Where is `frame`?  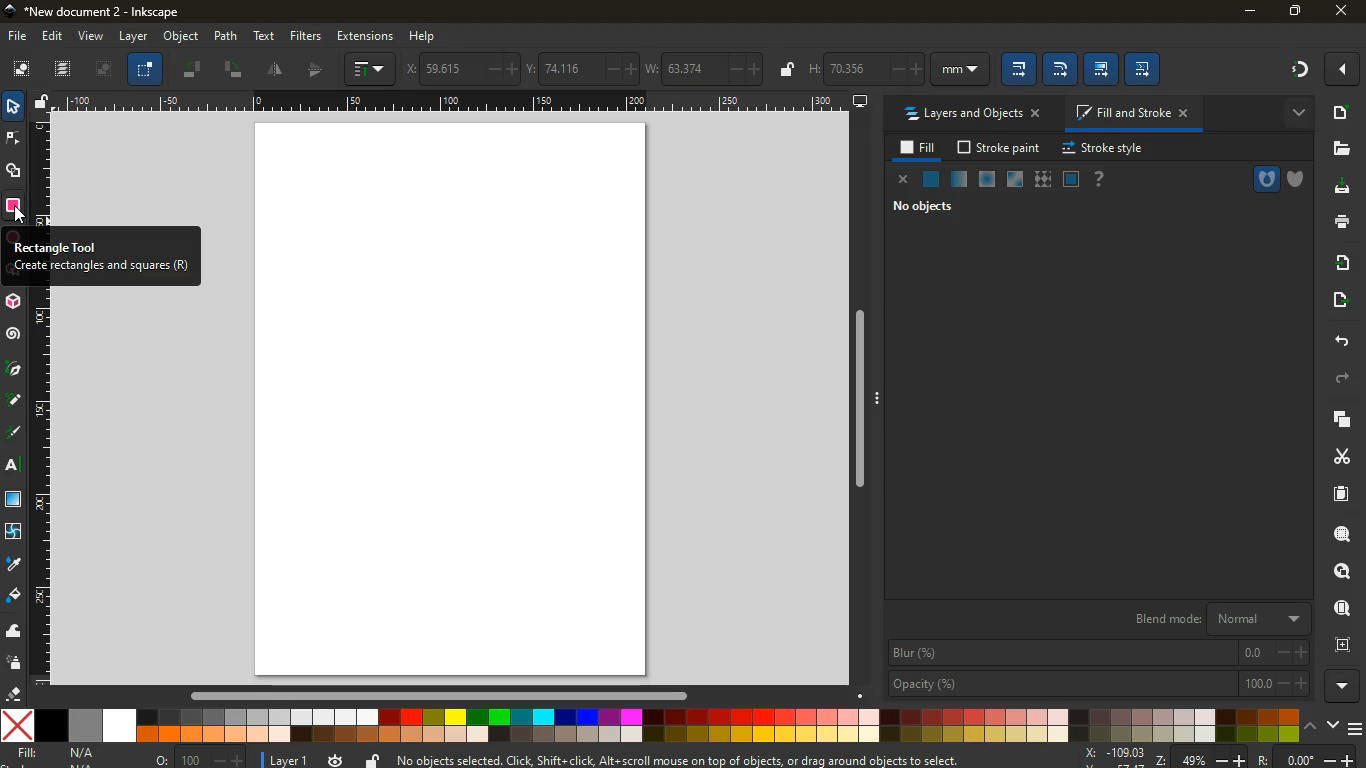
frame is located at coordinates (1344, 646).